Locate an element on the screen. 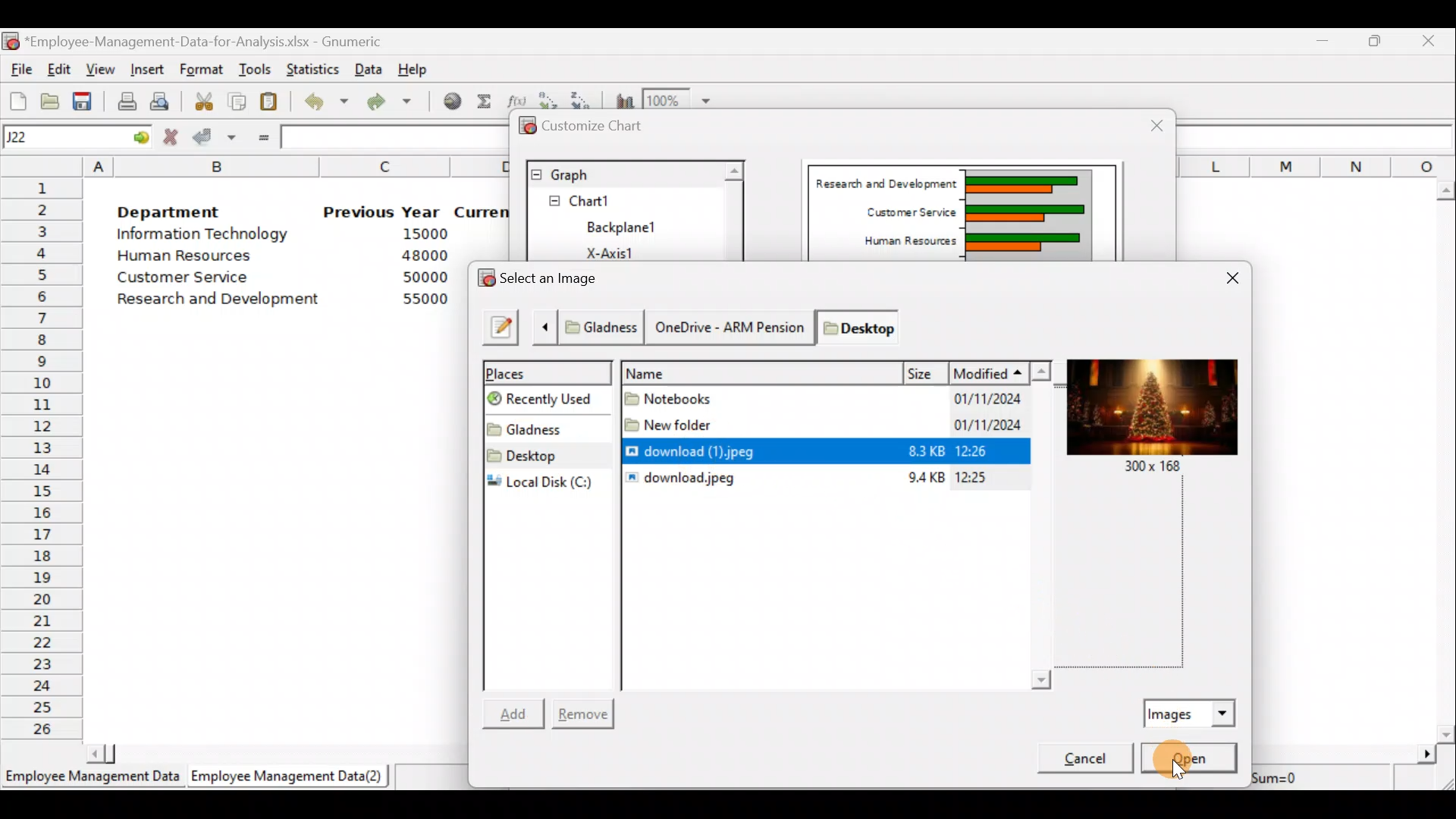 This screenshot has width=1456, height=819. Edit a function in the current cell is located at coordinates (517, 99).